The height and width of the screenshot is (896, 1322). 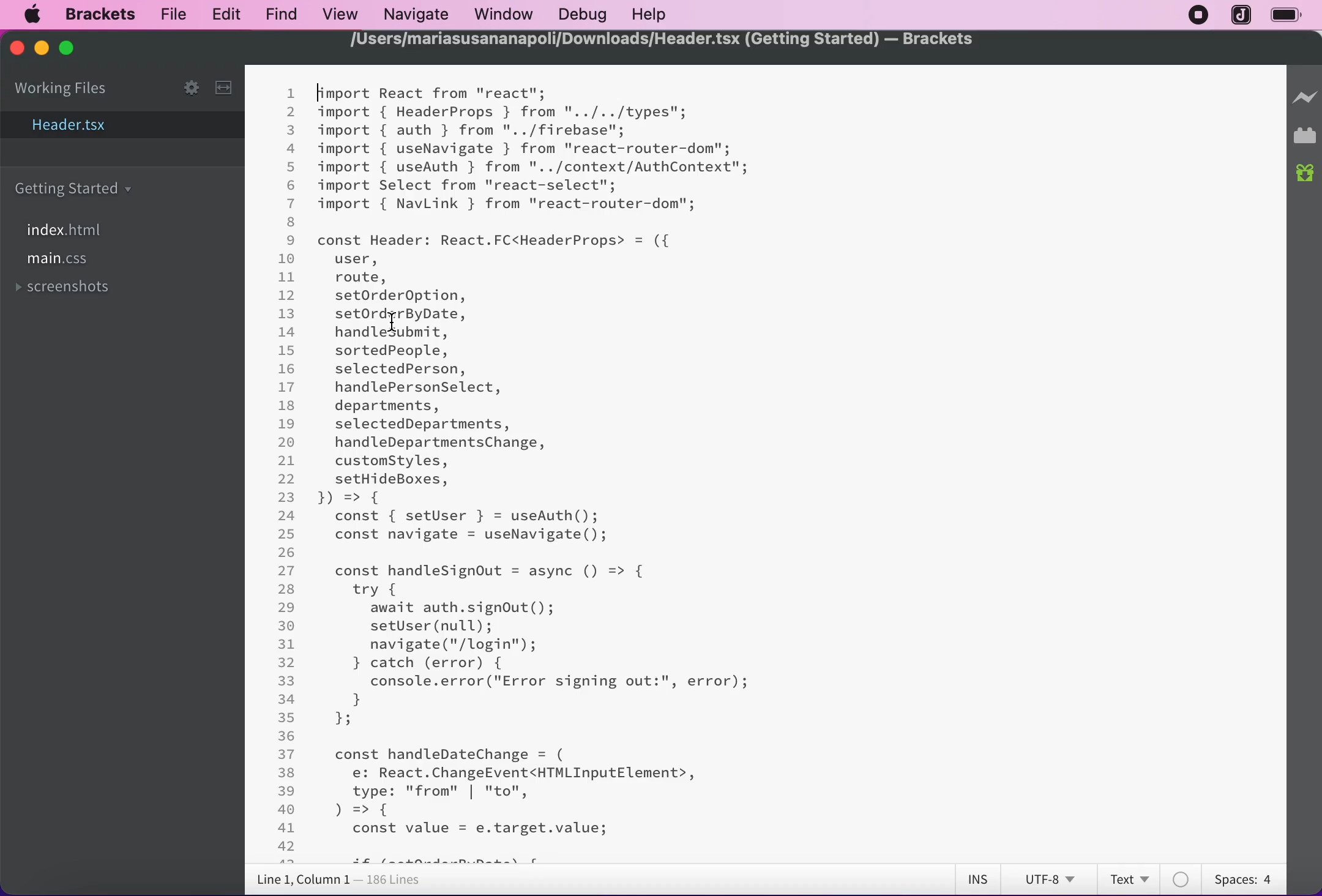 What do you see at coordinates (286, 461) in the screenshot?
I see `21` at bounding box center [286, 461].